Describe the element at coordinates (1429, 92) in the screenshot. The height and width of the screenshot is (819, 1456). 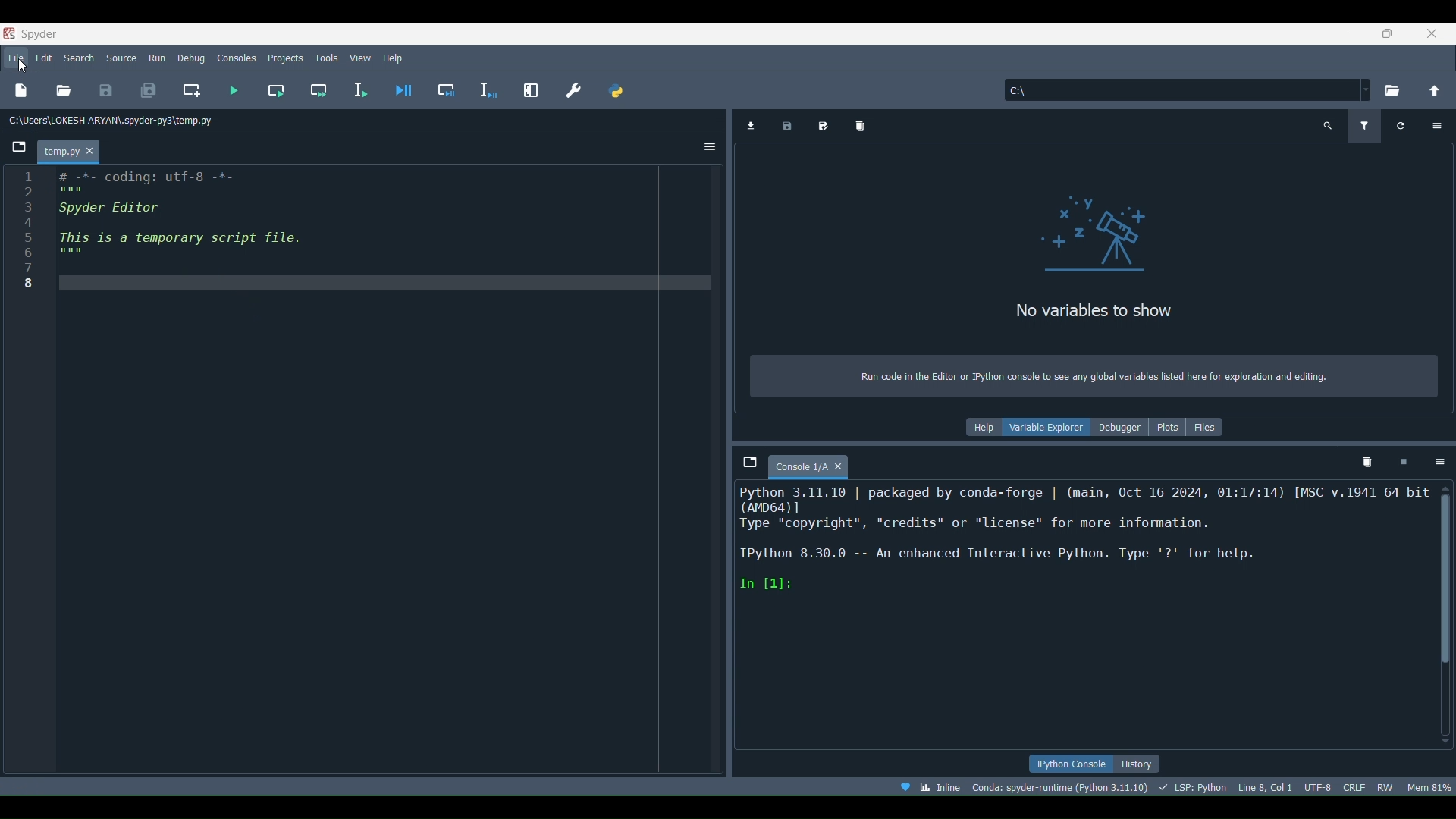
I see `Change to parent directory` at that location.